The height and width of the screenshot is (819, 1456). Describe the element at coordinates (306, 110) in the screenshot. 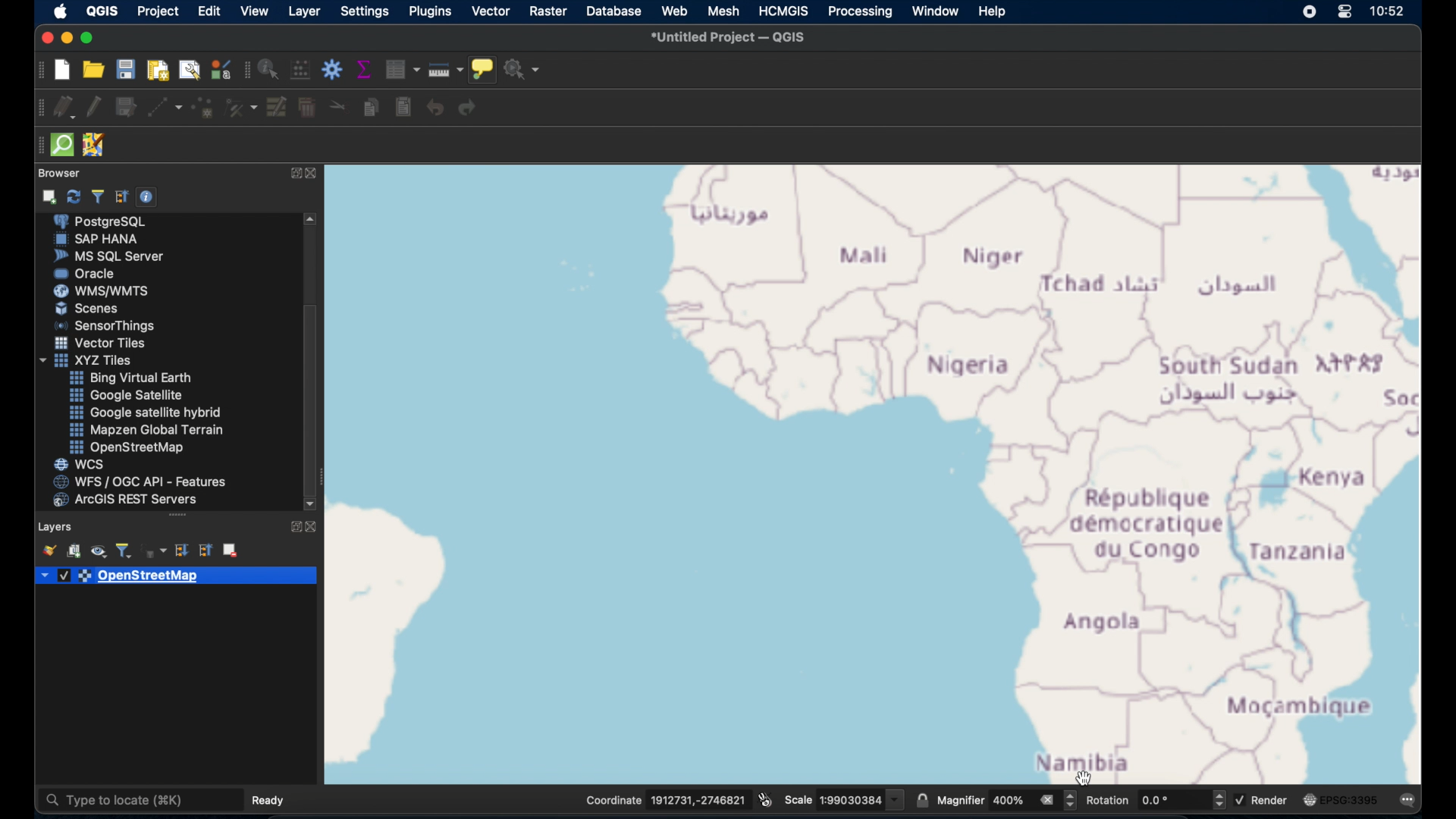

I see `delete selected` at that location.